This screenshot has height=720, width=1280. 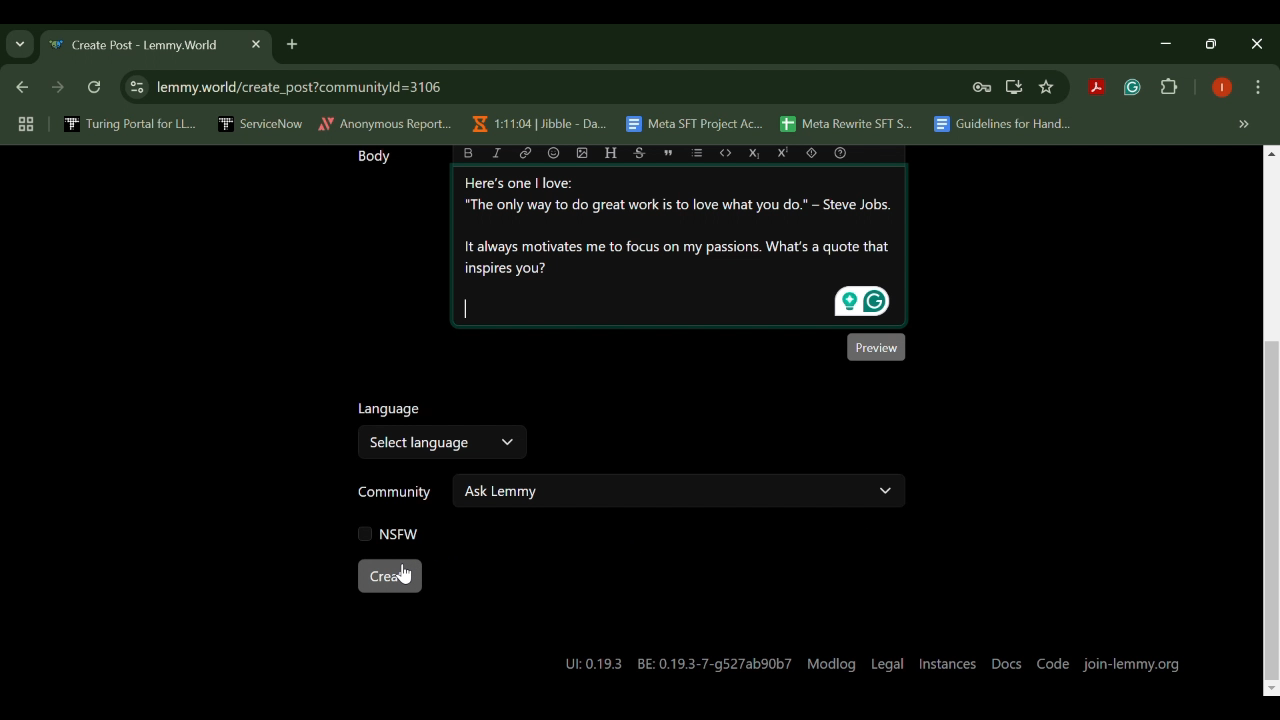 What do you see at coordinates (1132, 663) in the screenshot?
I see `join-lemmy.org` at bounding box center [1132, 663].